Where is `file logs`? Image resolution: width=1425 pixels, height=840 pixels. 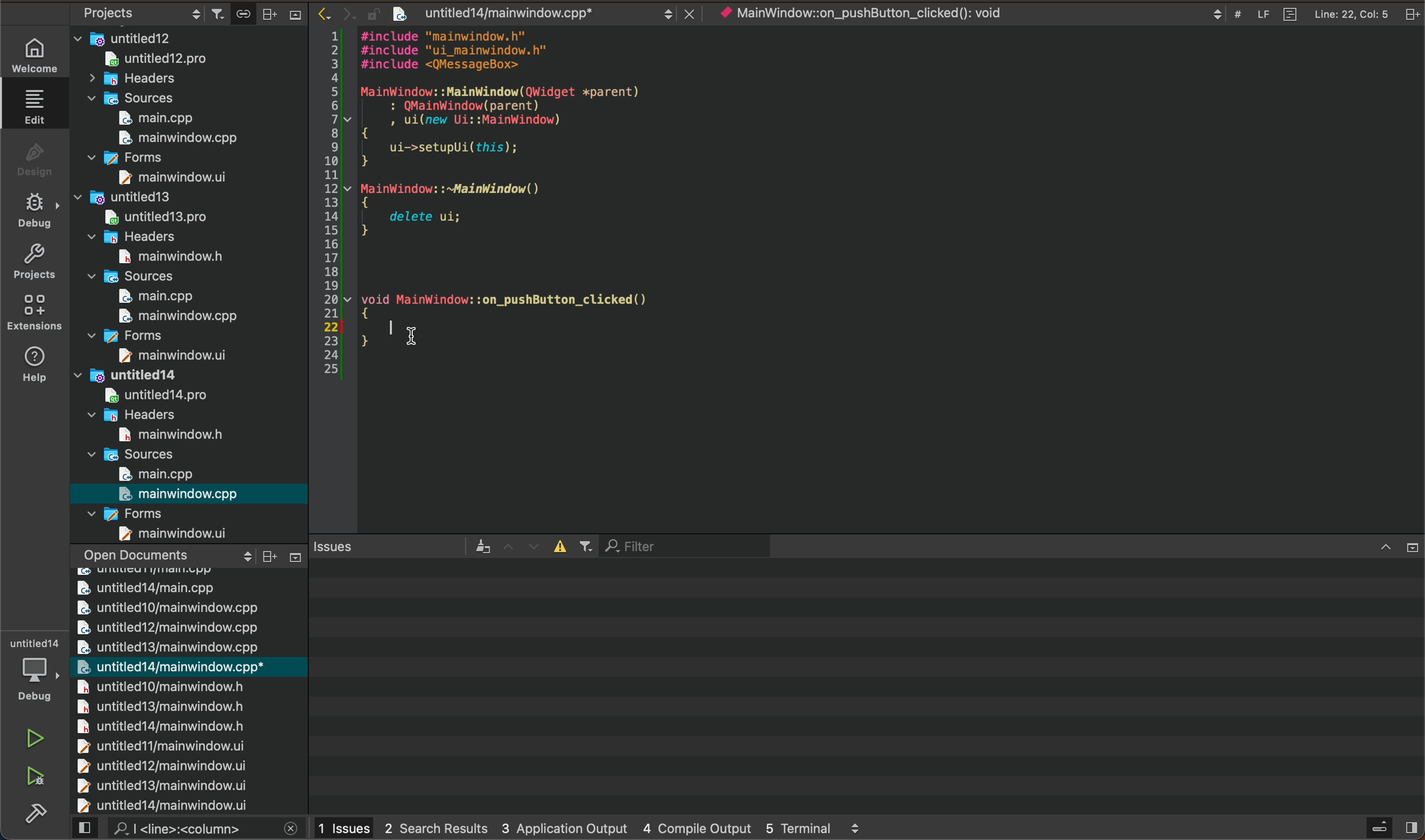
file logs is located at coordinates (1307, 14).